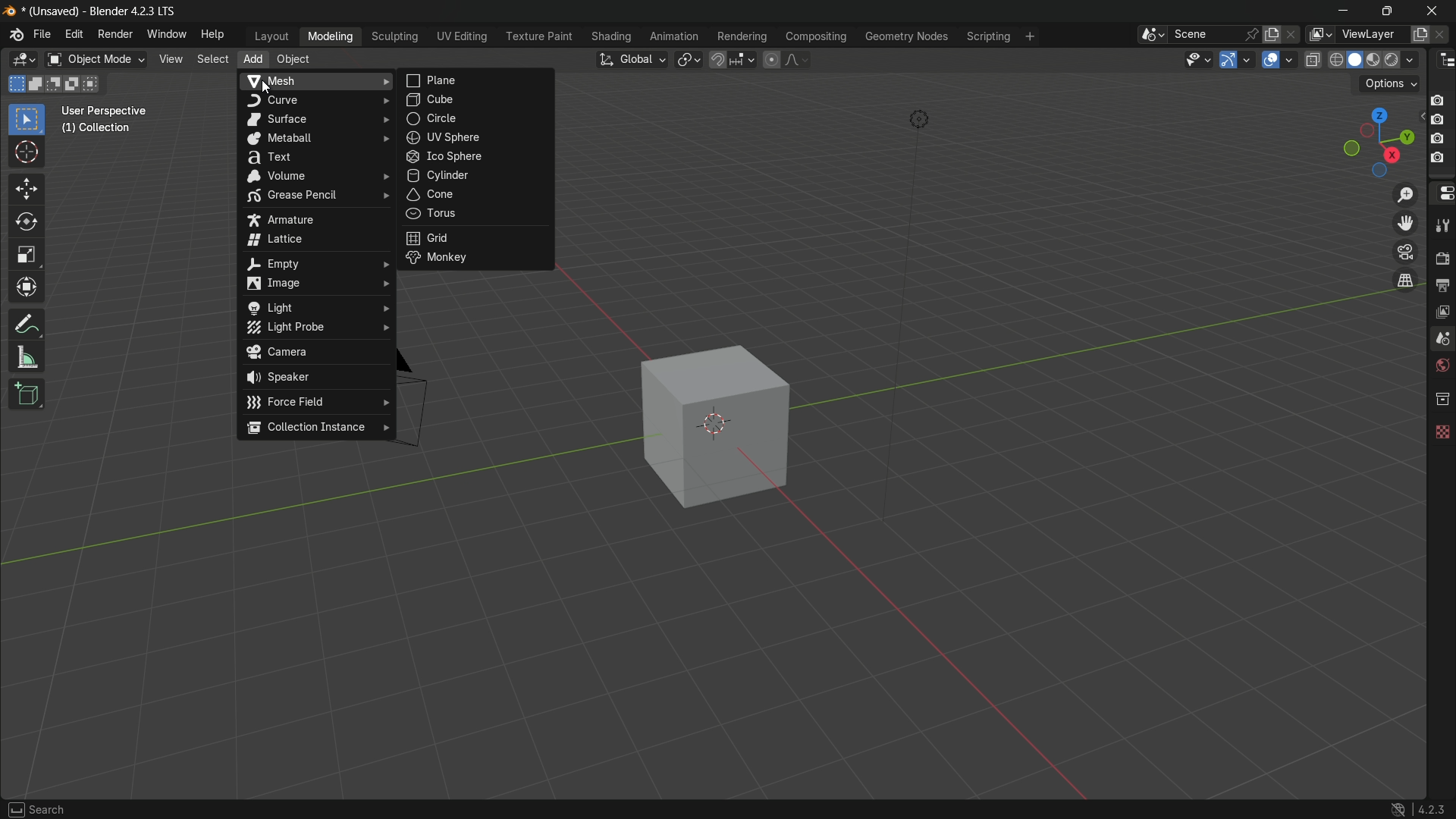 The image size is (1456, 819). What do you see at coordinates (1441, 61) in the screenshot?
I see `outliner` at bounding box center [1441, 61].